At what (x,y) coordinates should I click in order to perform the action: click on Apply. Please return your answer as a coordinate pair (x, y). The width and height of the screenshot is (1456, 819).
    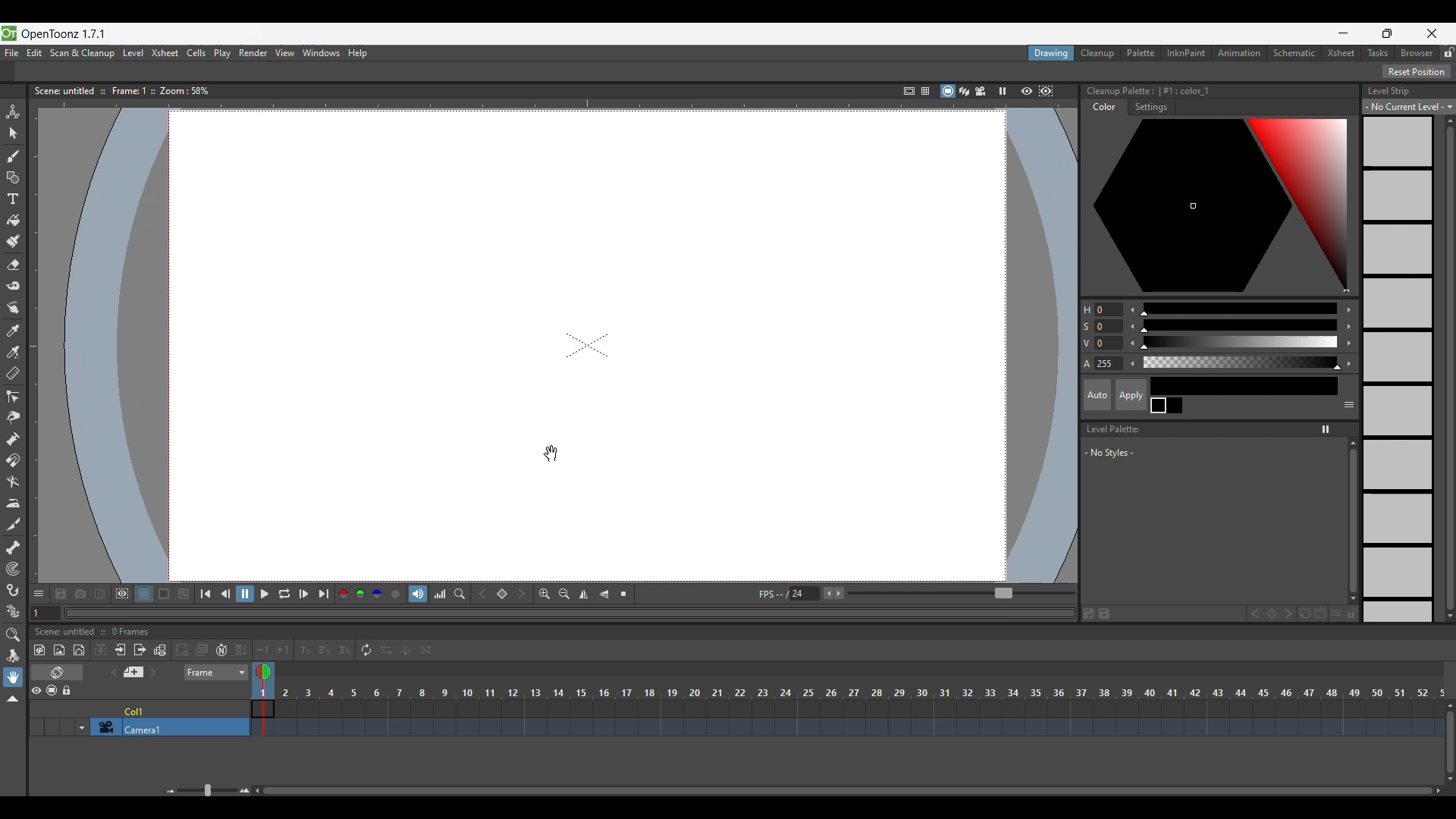
    Looking at the image, I should click on (1131, 395).